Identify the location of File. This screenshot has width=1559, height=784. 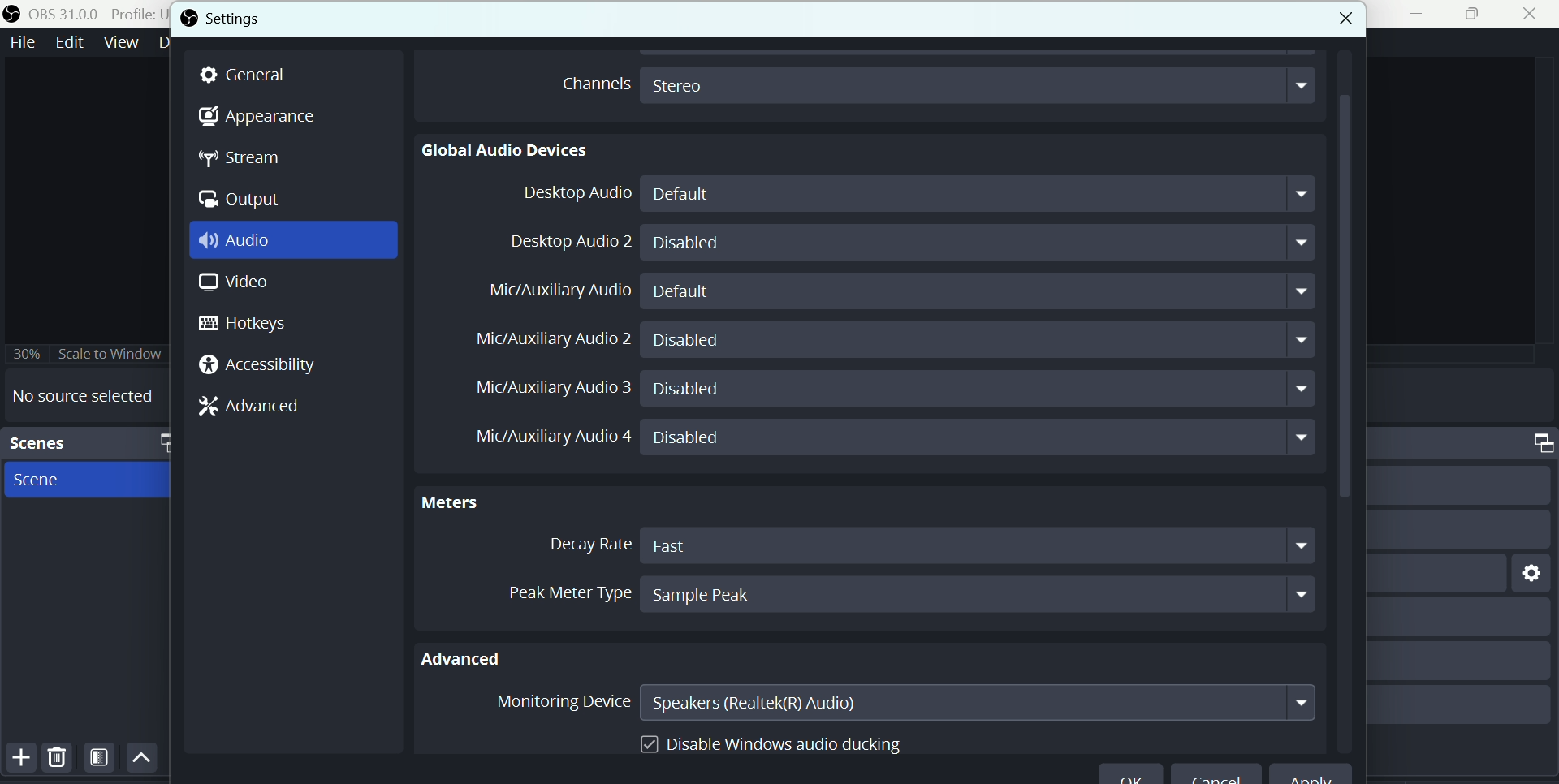
(22, 41).